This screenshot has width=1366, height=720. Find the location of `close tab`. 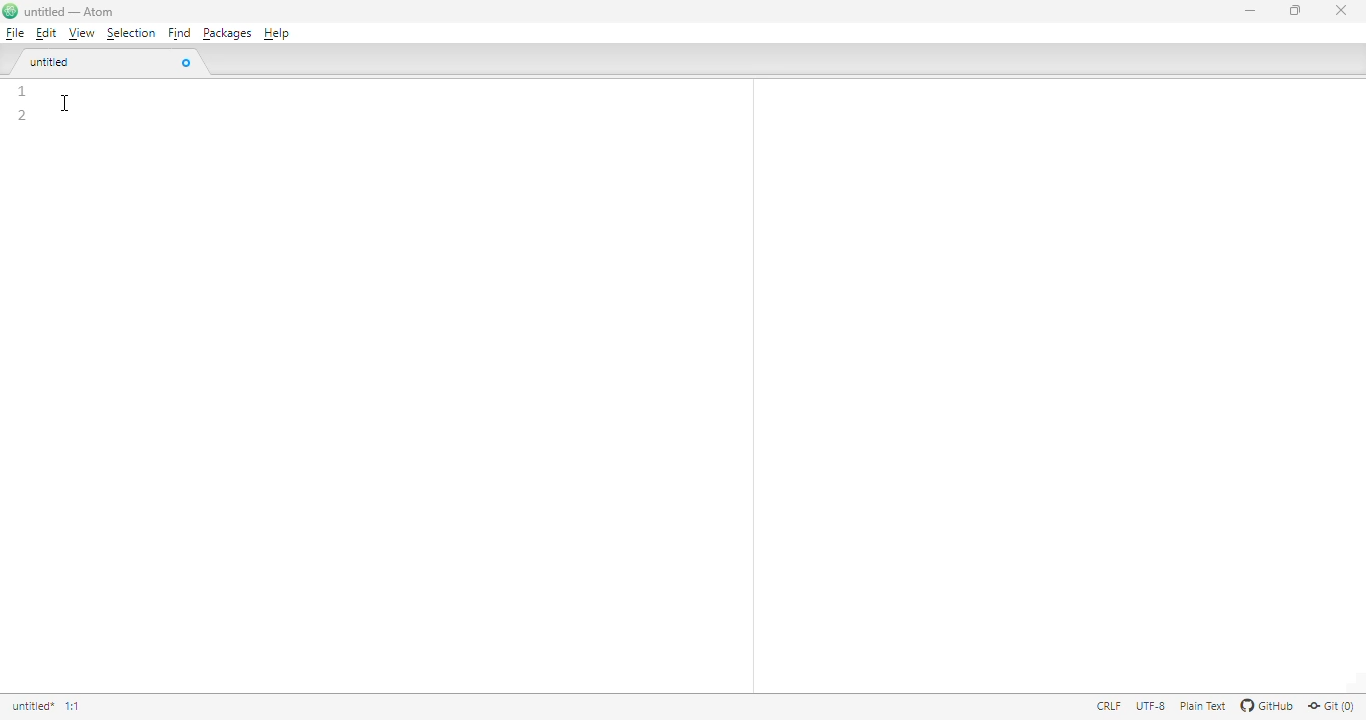

close tab is located at coordinates (185, 63).